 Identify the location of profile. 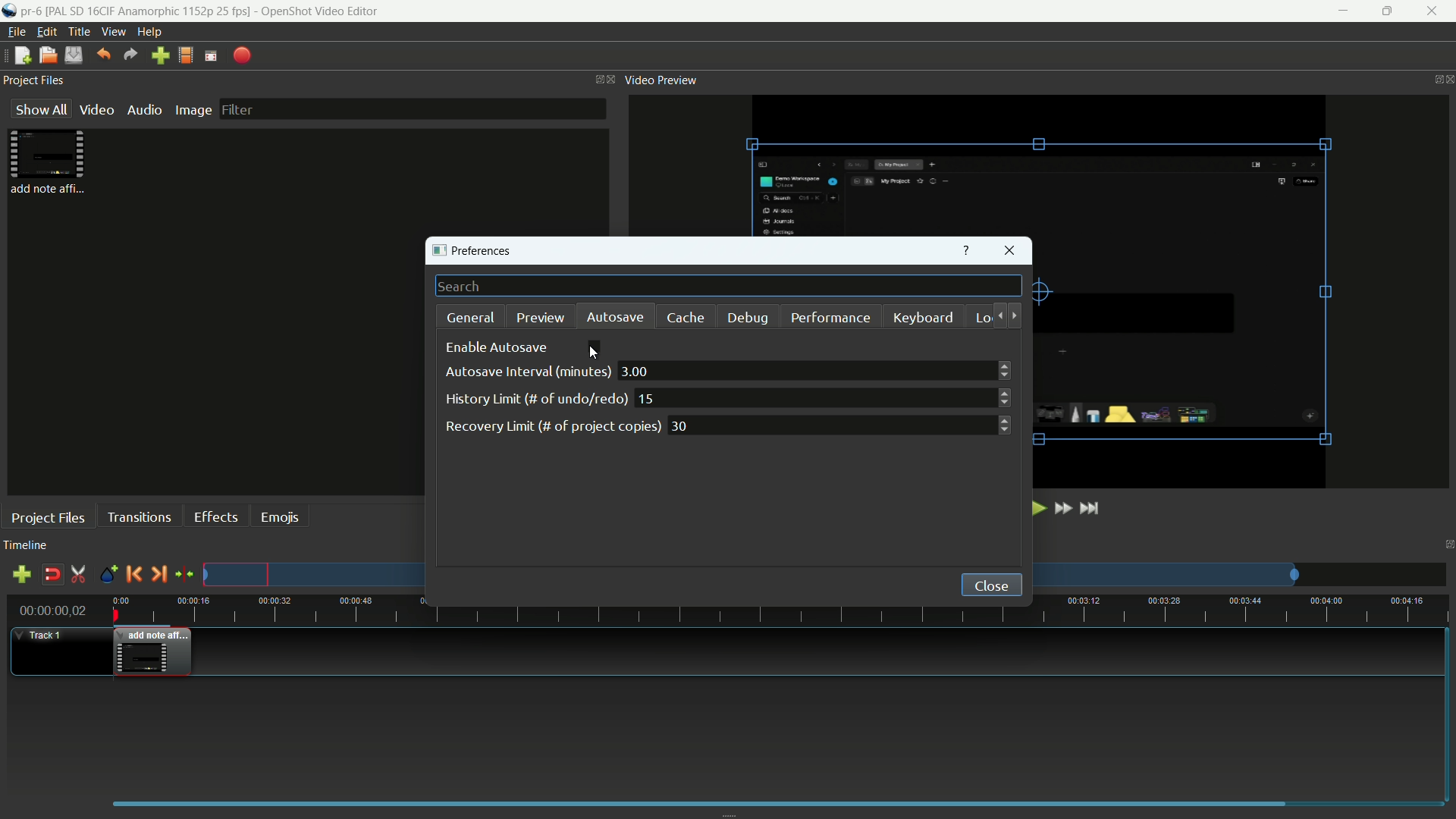
(149, 11).